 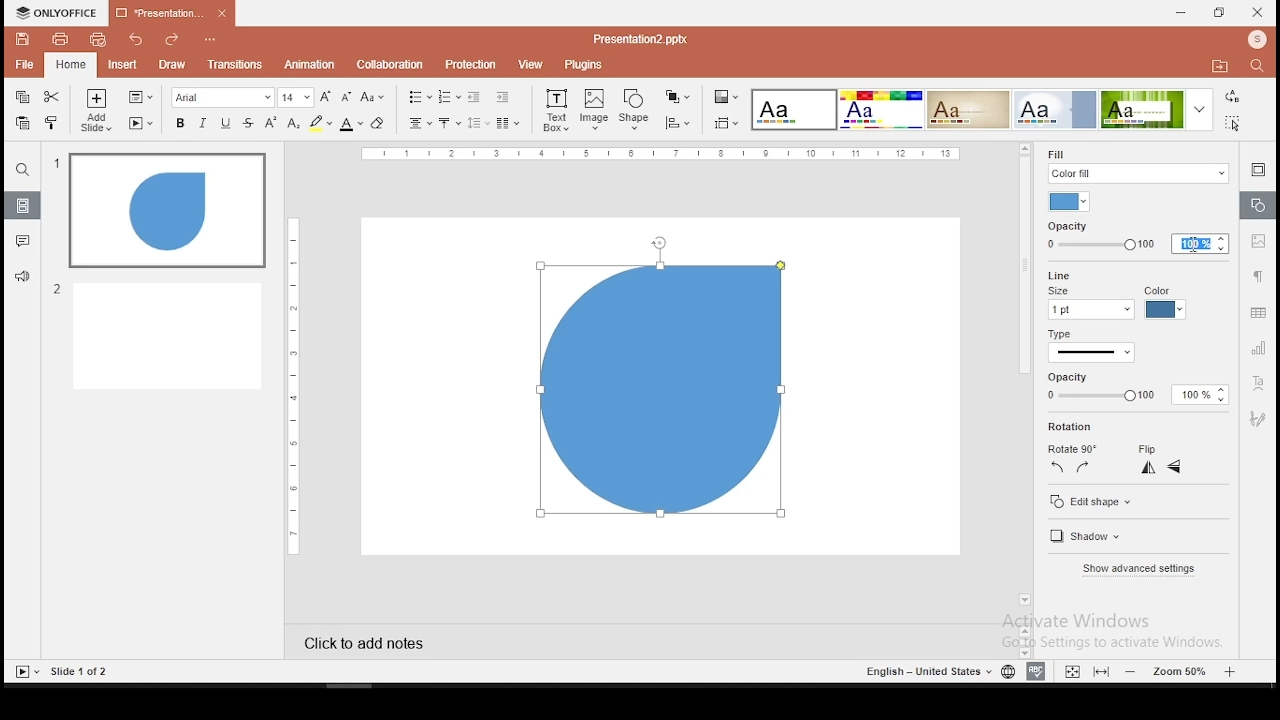 What do you see at coordinates (418, 125) in the screenshot?
I see `horizontal align` at bounding box center [418, 125].